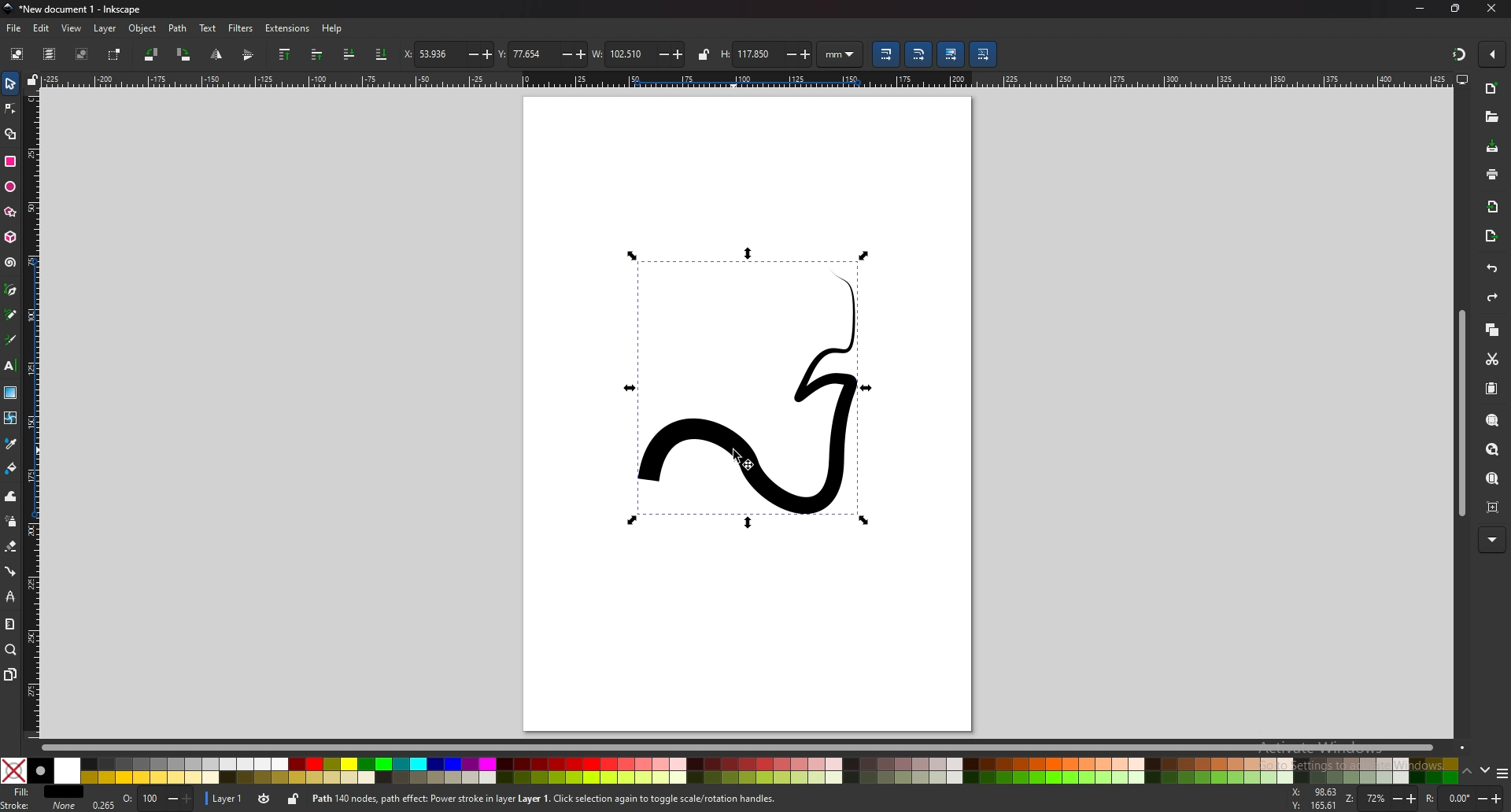 Image resolution: width=1511 pixels, height=812 pixels. I want to click on scroll bar, so click(755, 745).